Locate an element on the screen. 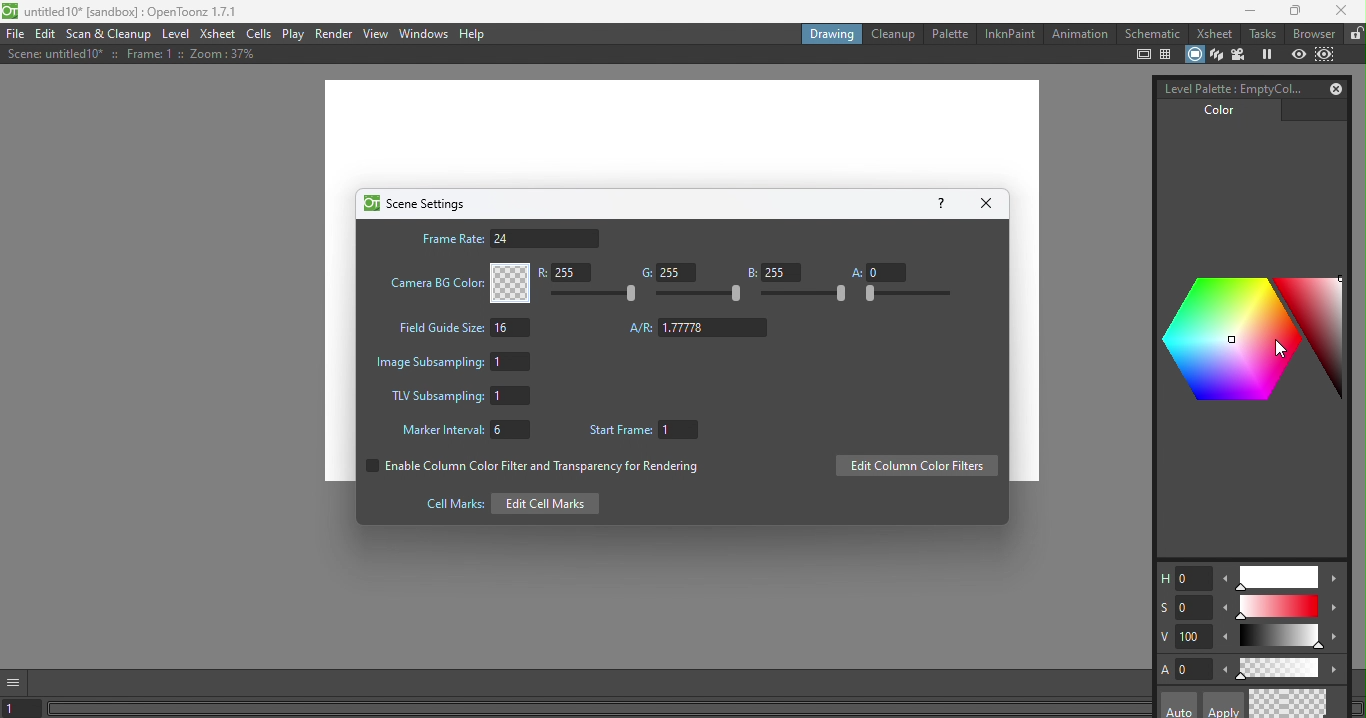  R is located at coordinates (569, 274).